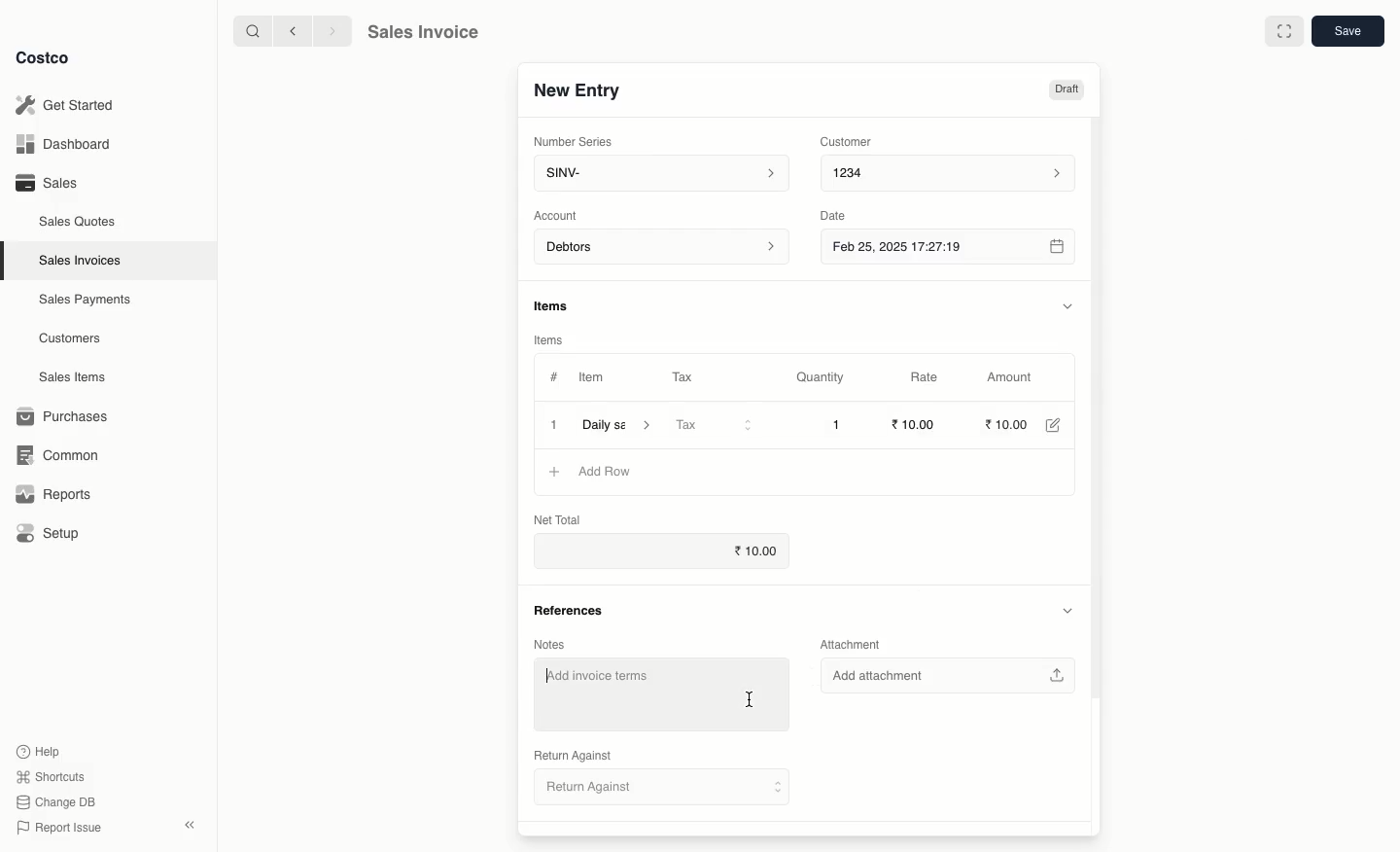  I want to click on 1, so click(554, 424).